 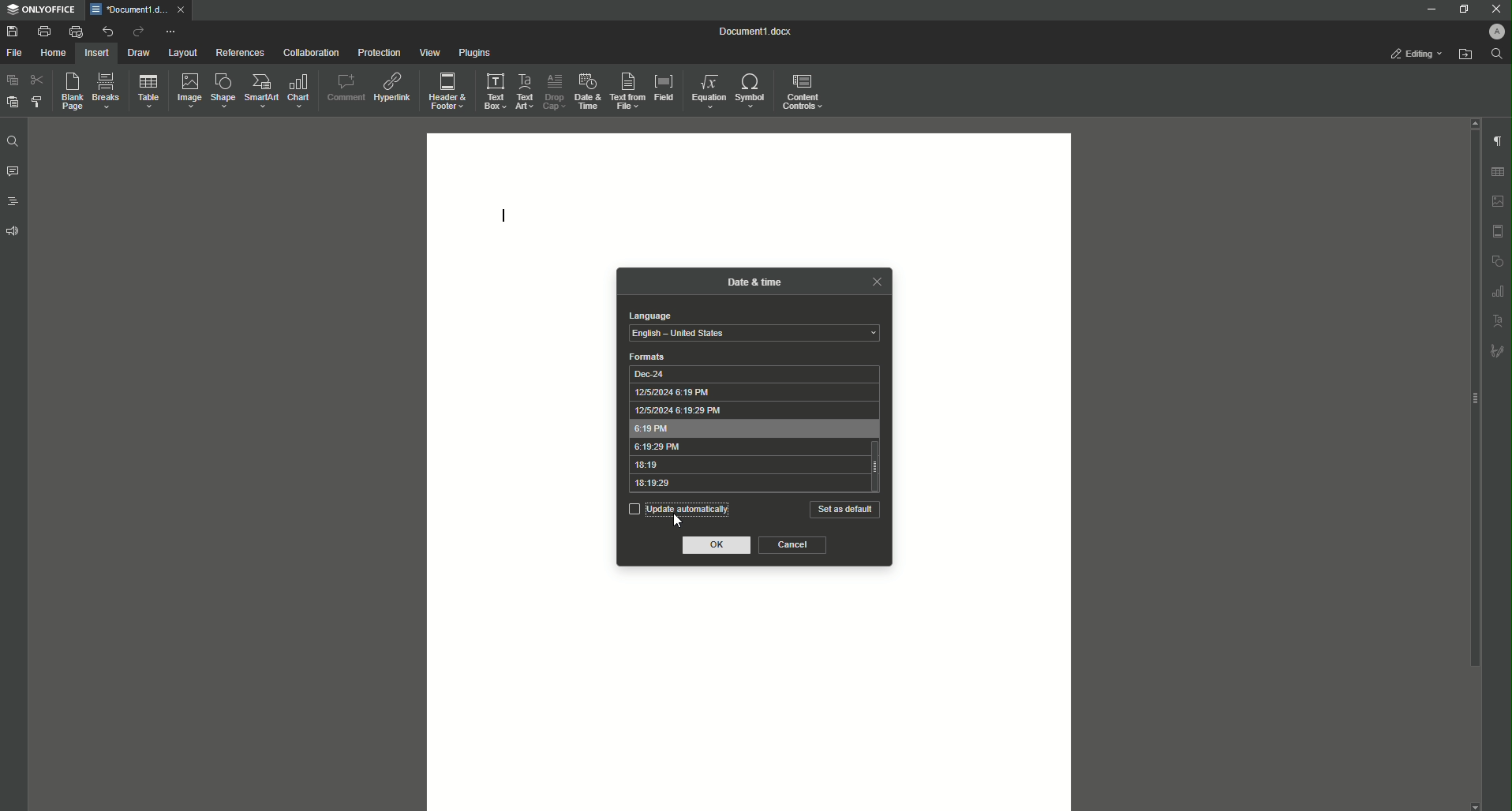 I want to click on Controls, so click(x=806, y=91).